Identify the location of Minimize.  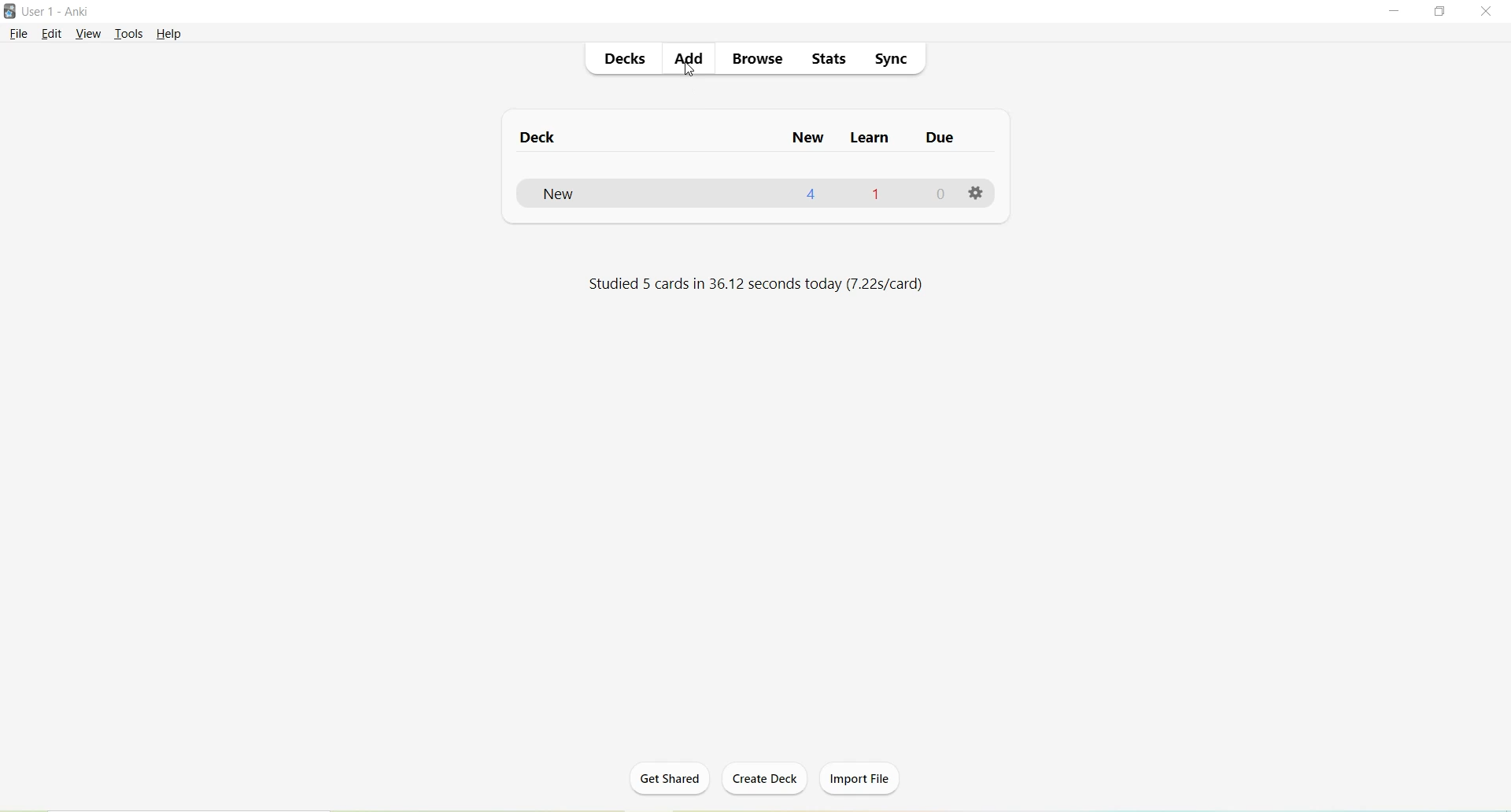
(1397, 13).